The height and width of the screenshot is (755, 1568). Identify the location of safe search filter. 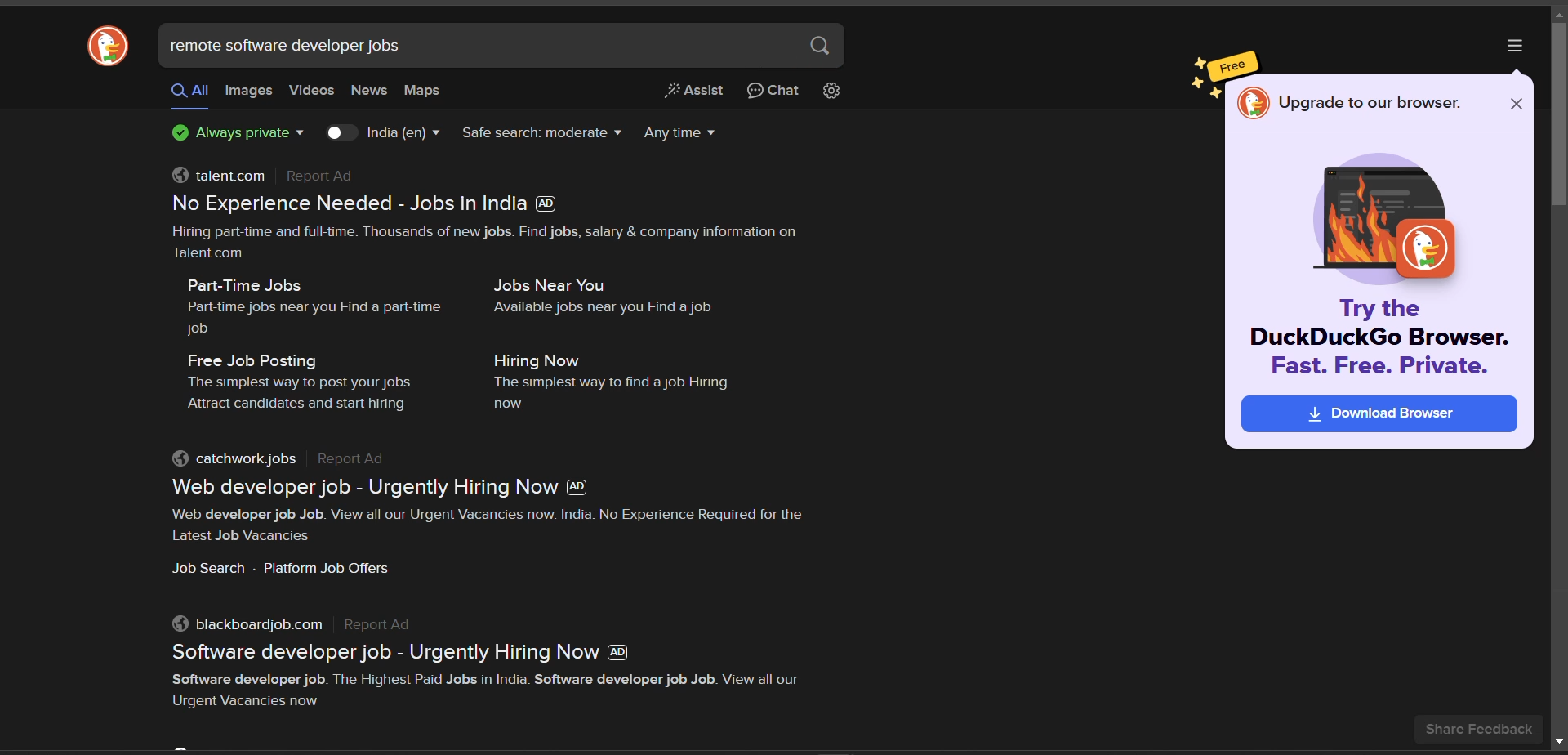
(543, 133).